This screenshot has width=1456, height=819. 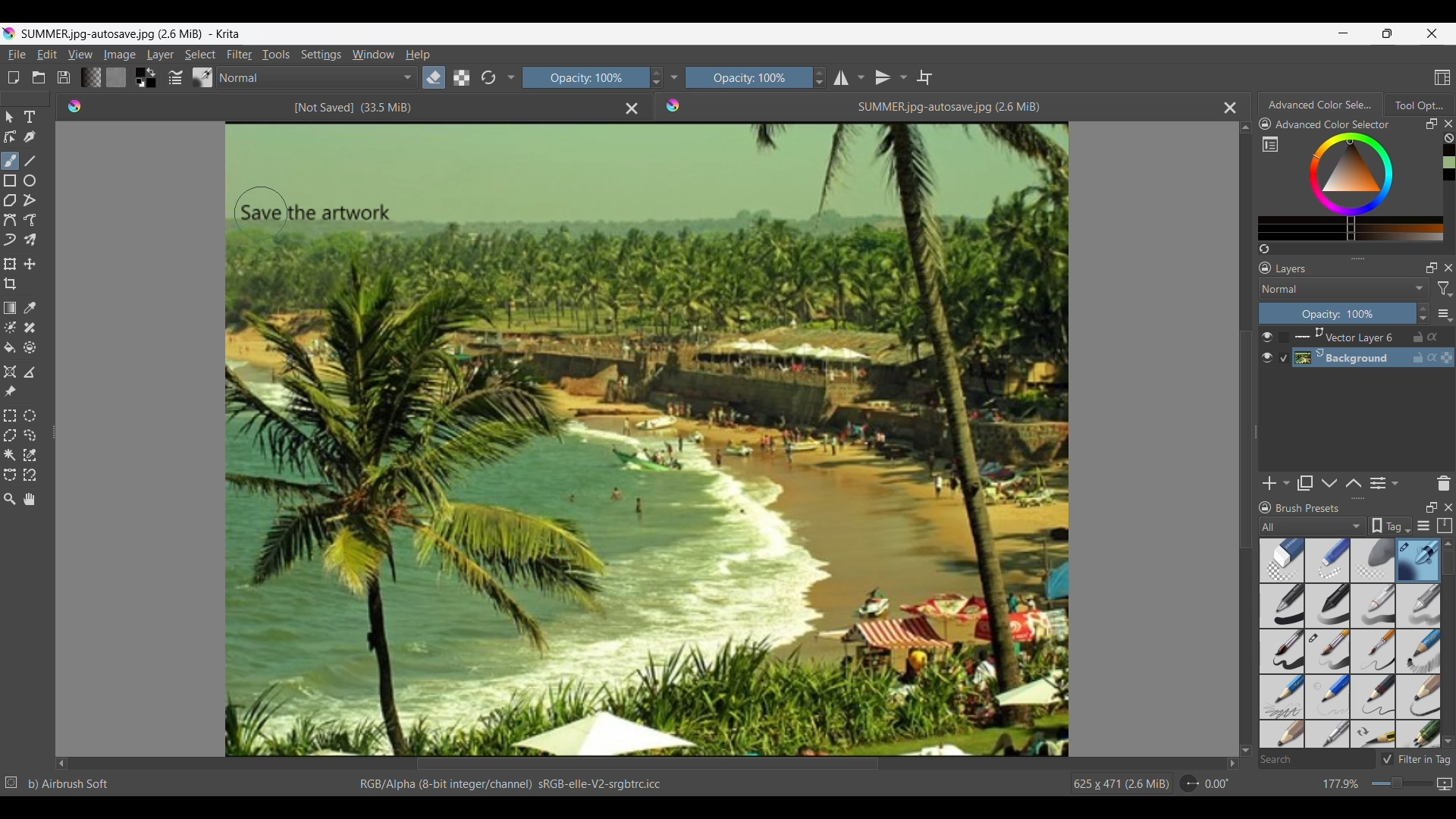 I want to click on Duplicate layer or mask, so click(x=1304, y=483).